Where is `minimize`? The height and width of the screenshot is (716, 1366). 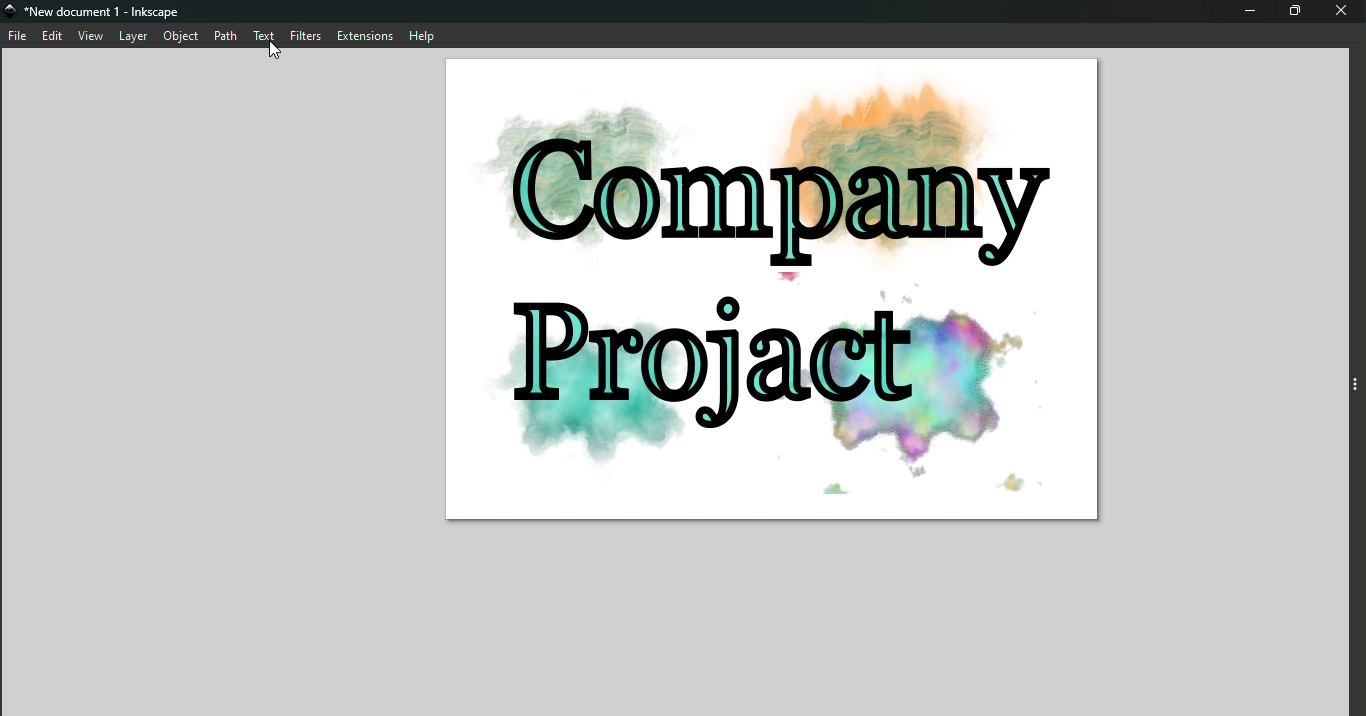
minimize is located at coordinates (1249, 12).